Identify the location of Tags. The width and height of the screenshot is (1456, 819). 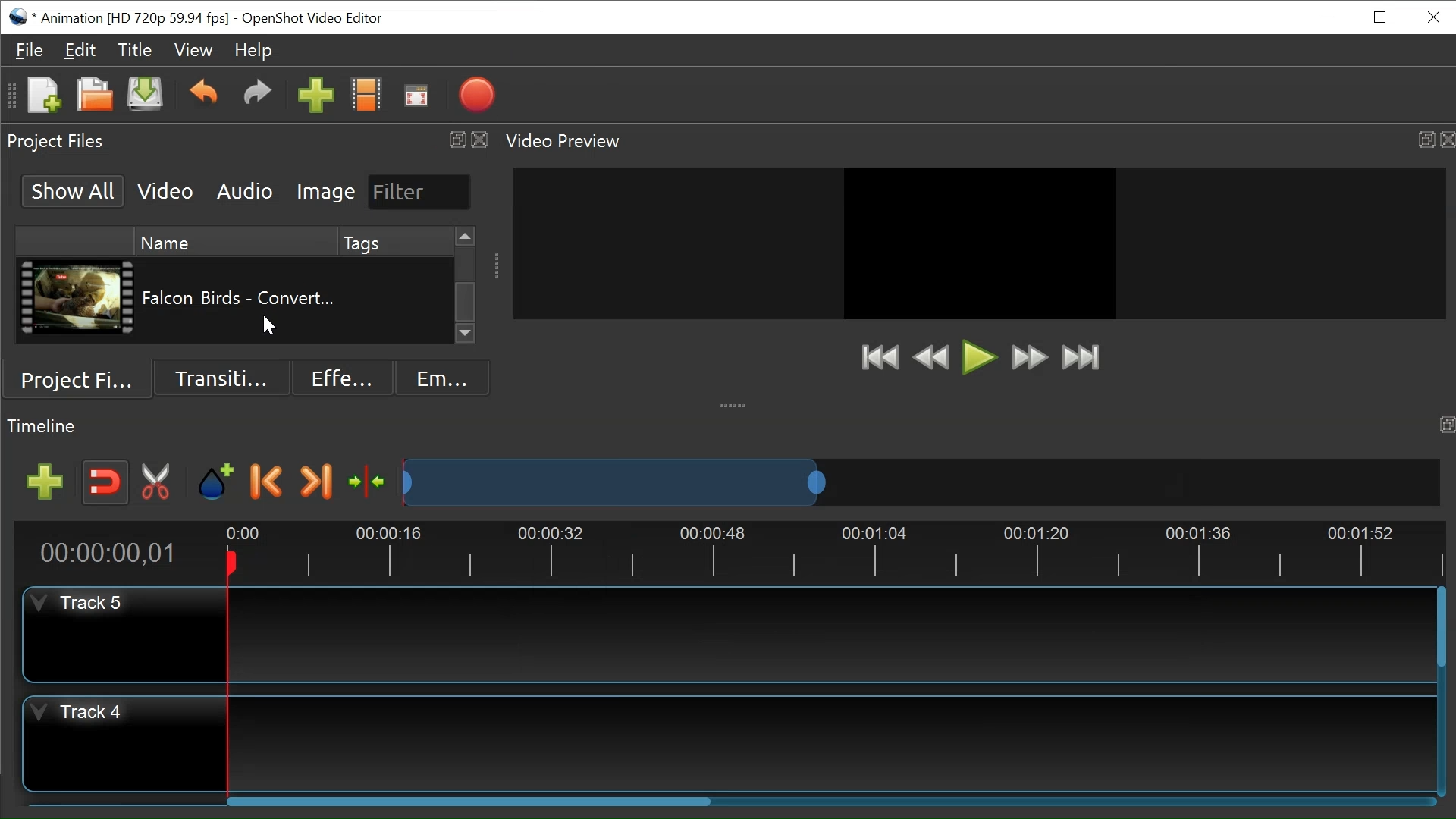
(395, 241).